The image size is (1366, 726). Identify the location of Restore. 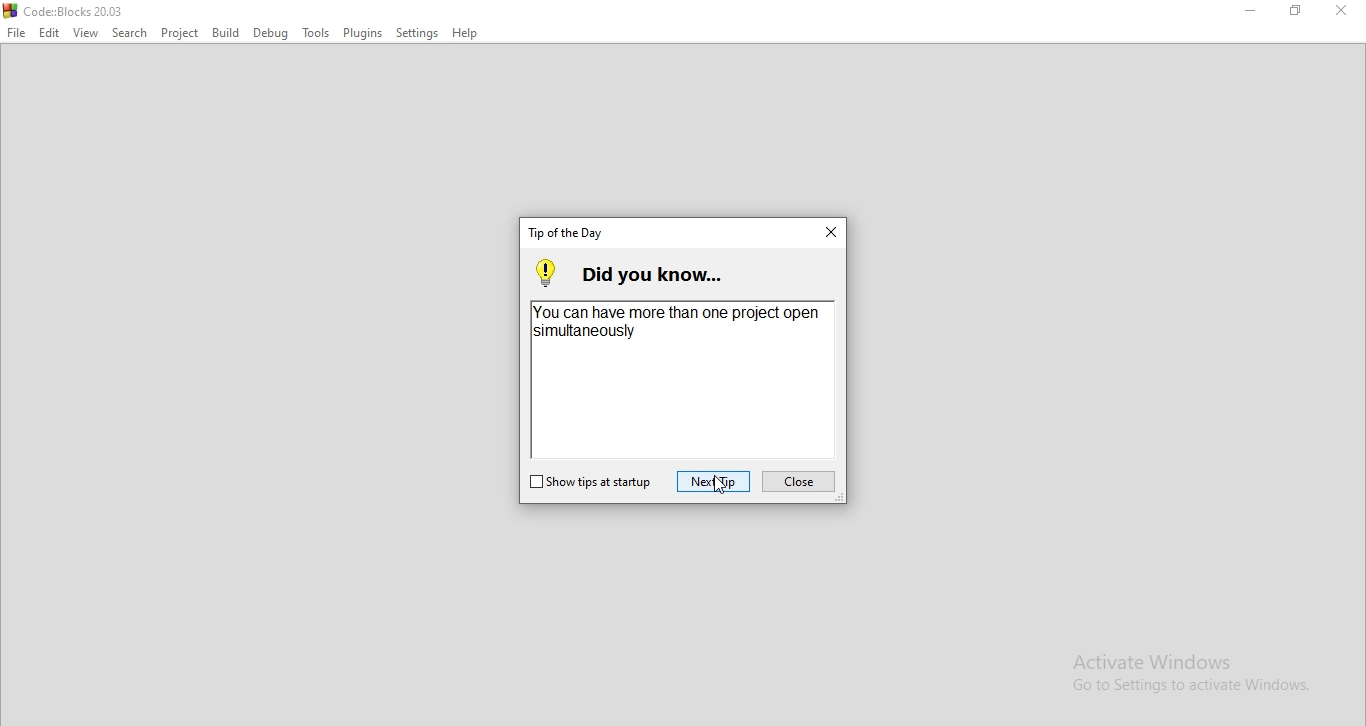
(1297, 13).